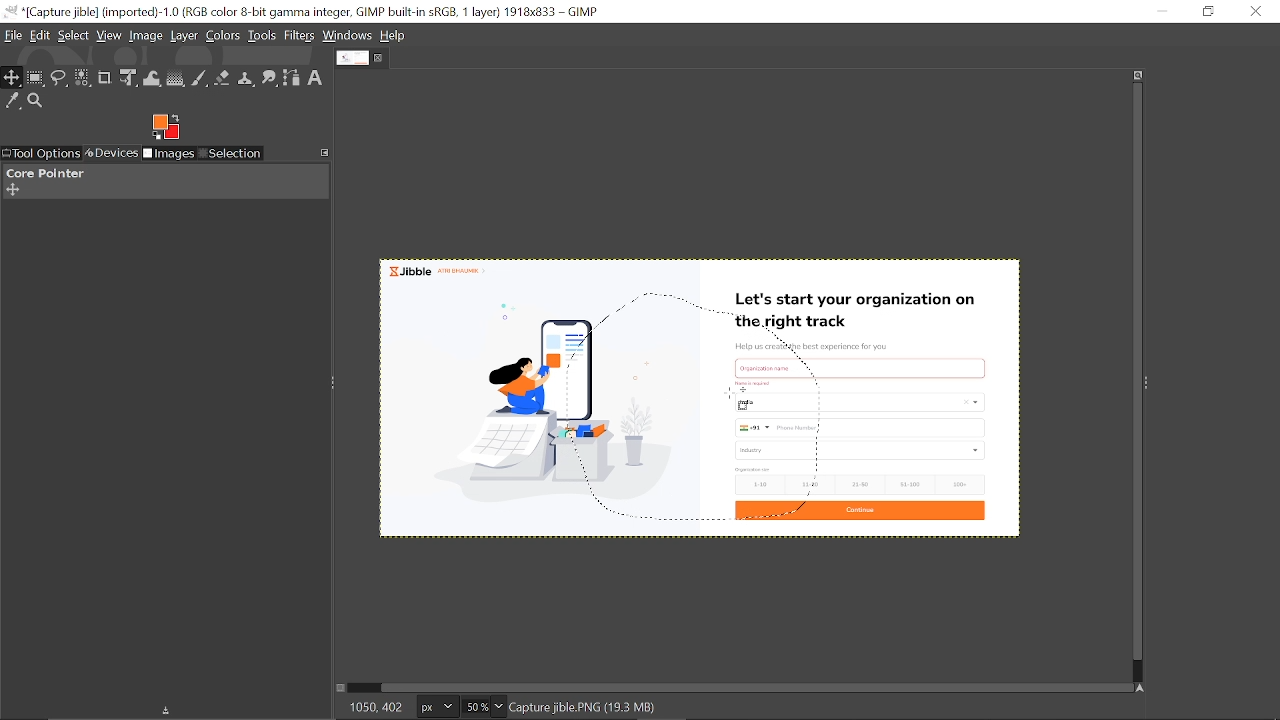 Image resolution: width=1280 pixels, height=720 pixels. What do you see at coordinates (169, 155) in the screenshot?
I see `images` at bounding box center [169, 155].